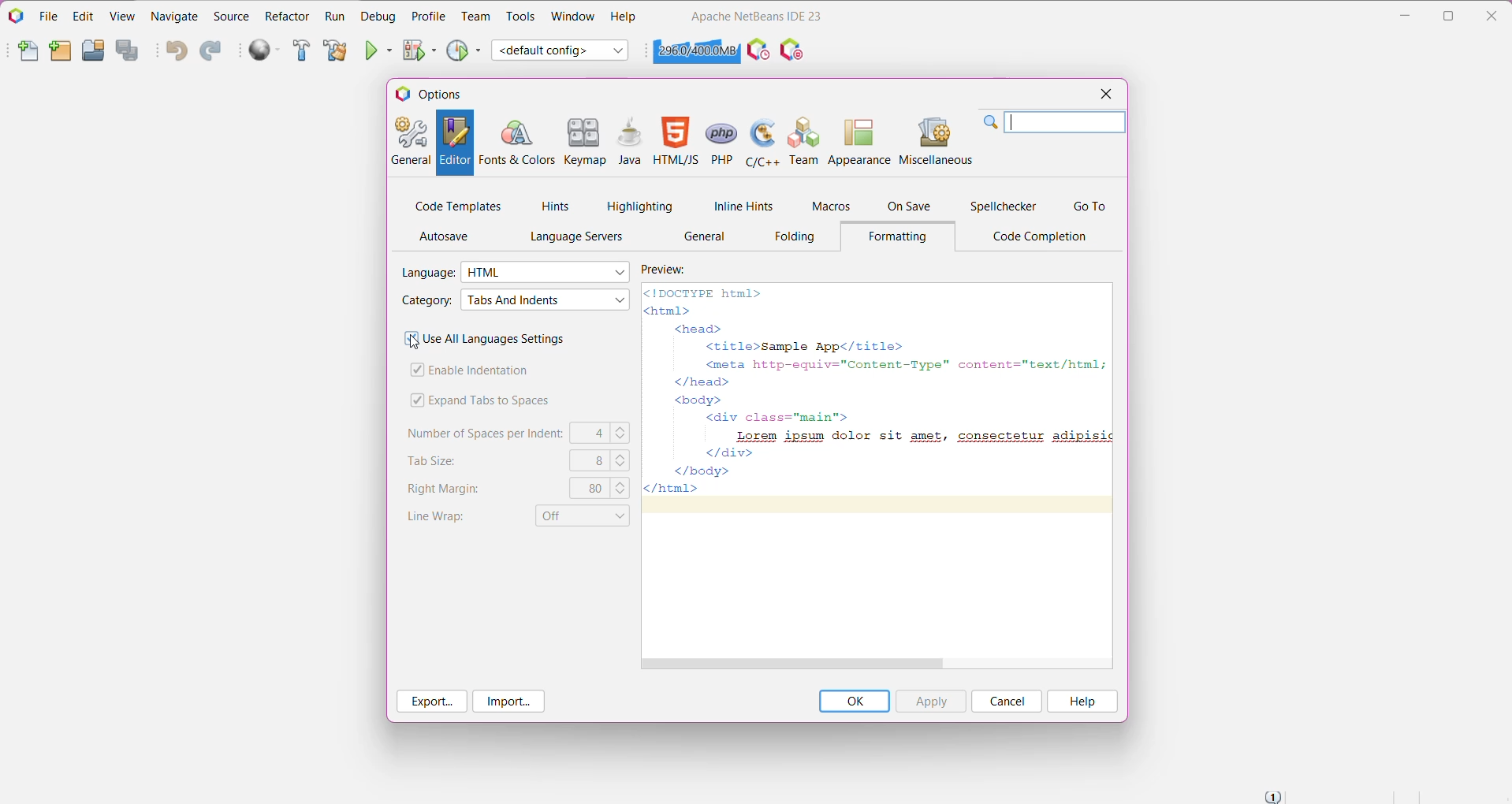  What do you see at coordinates (458, 205) in the screenshot?
I see `Code Templates` at bounding box center [458, 205].